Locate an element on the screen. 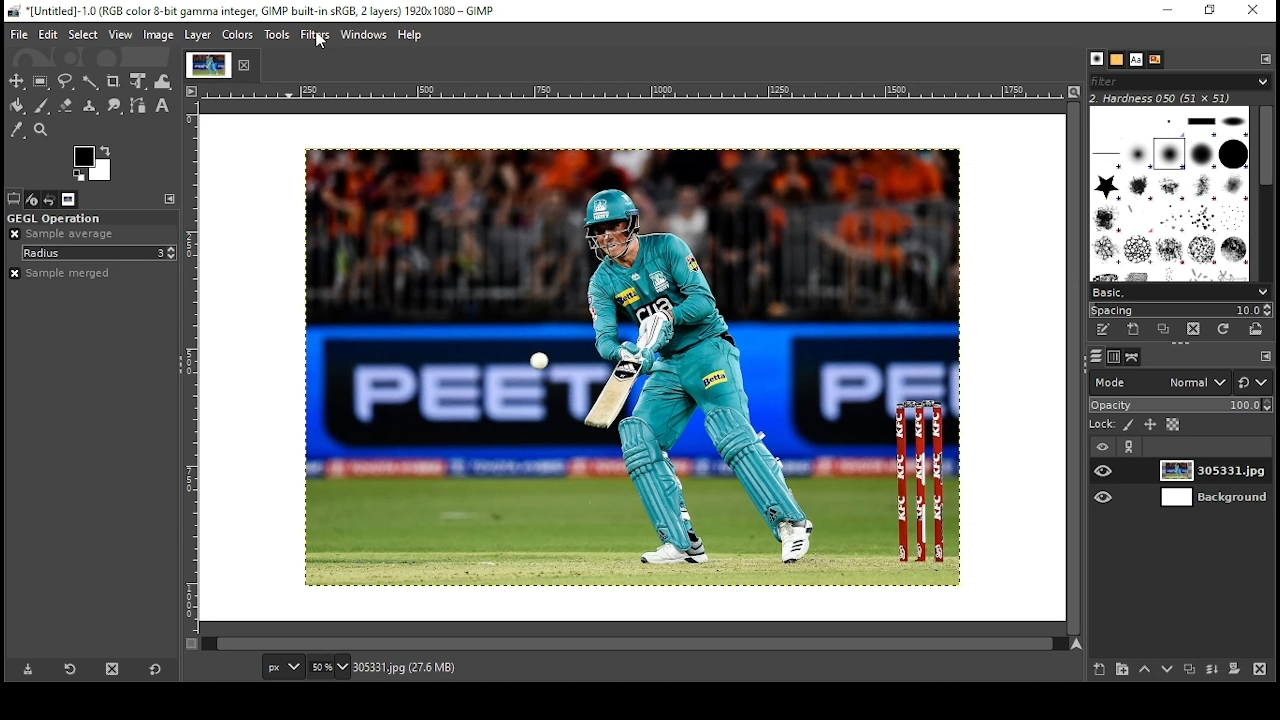 The width and height of the screenshot is (1280, 720). crop tool is located at coordinates (114, 82).